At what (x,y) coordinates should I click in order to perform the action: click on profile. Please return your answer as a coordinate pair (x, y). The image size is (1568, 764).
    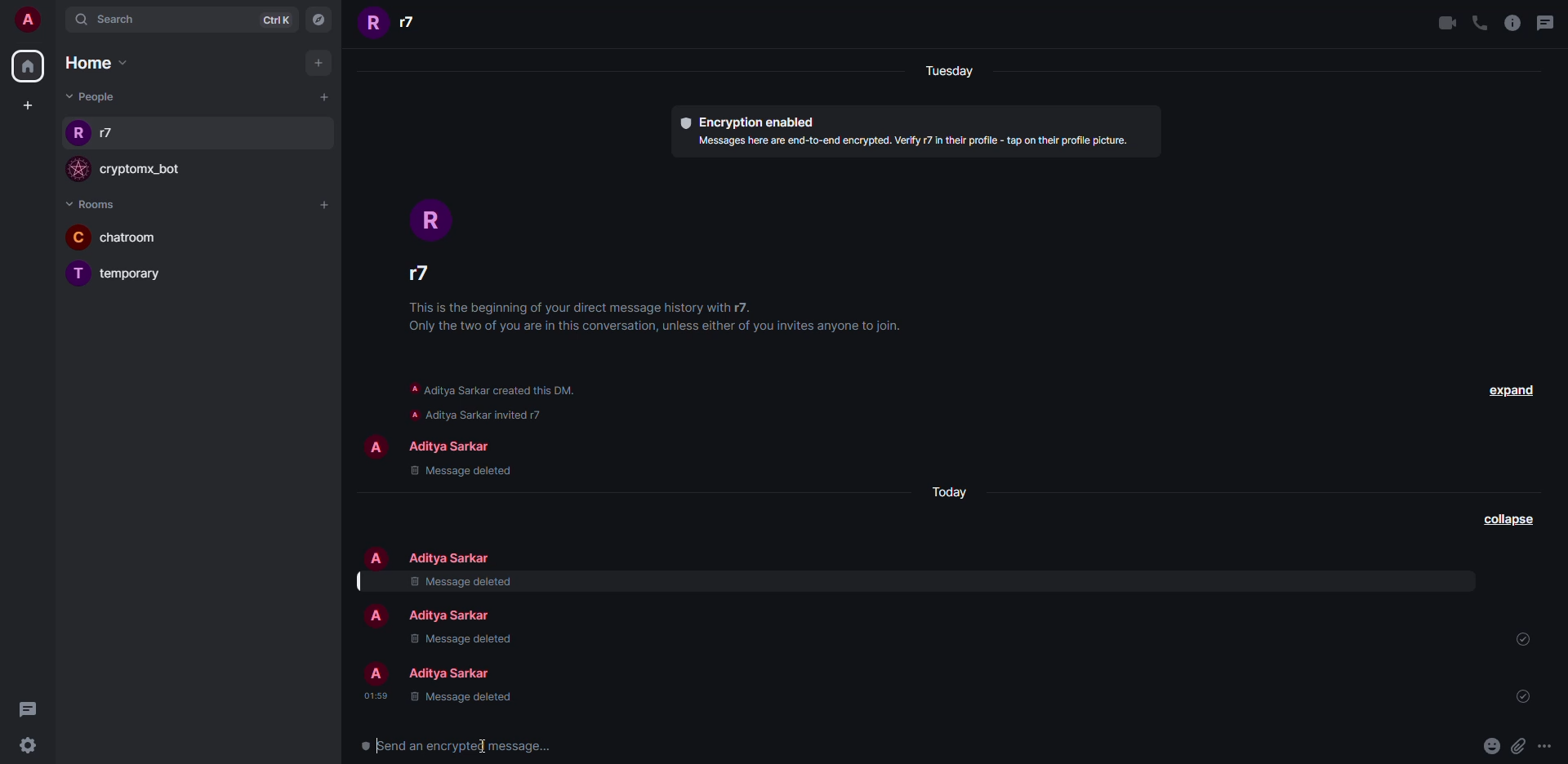
    Looking at the image, I should click on (77, 132).